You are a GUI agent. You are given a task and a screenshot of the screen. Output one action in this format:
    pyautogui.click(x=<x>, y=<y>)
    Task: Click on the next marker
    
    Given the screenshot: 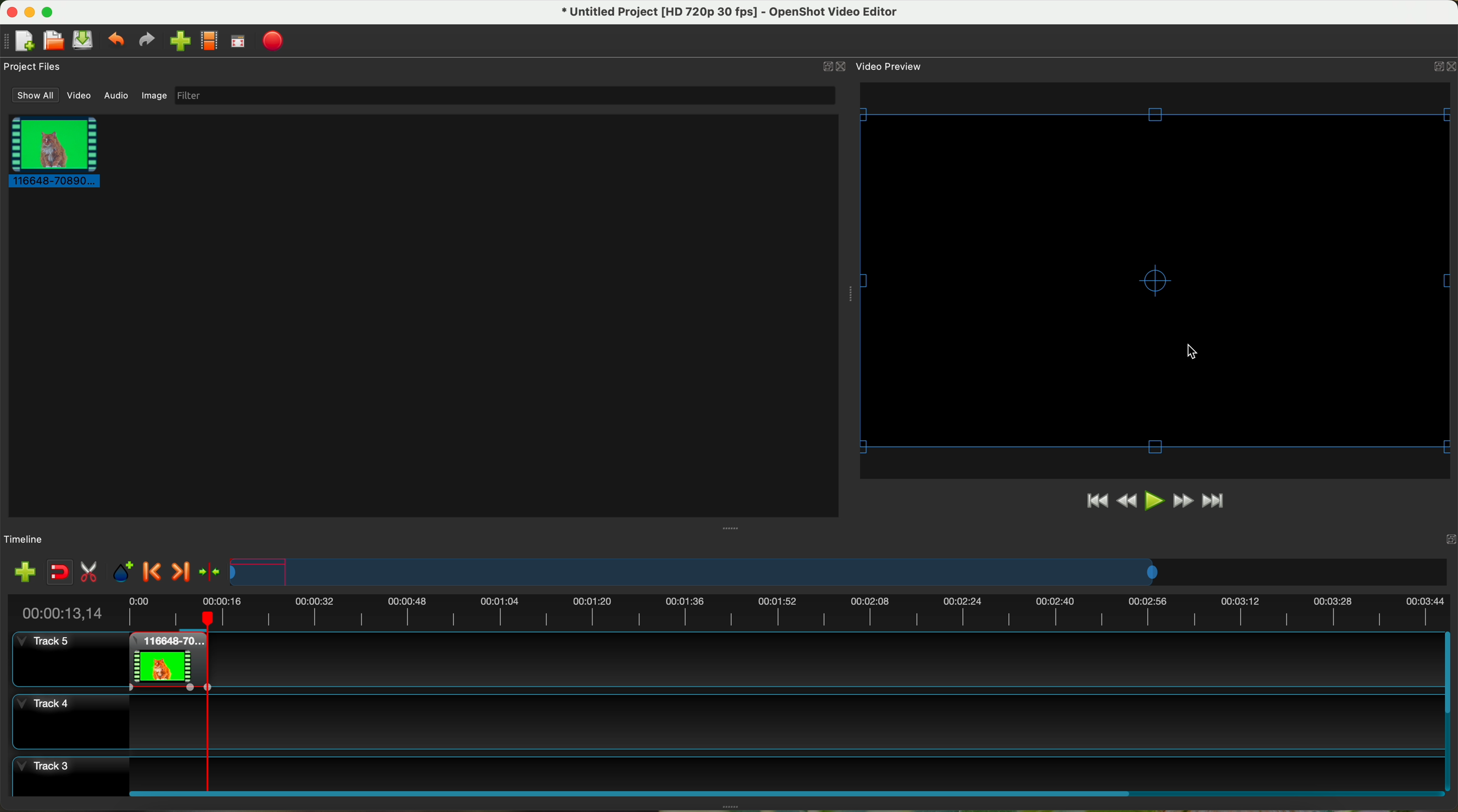 What is the action you would take?
    pyautogui.click(x=183, y=573)
    